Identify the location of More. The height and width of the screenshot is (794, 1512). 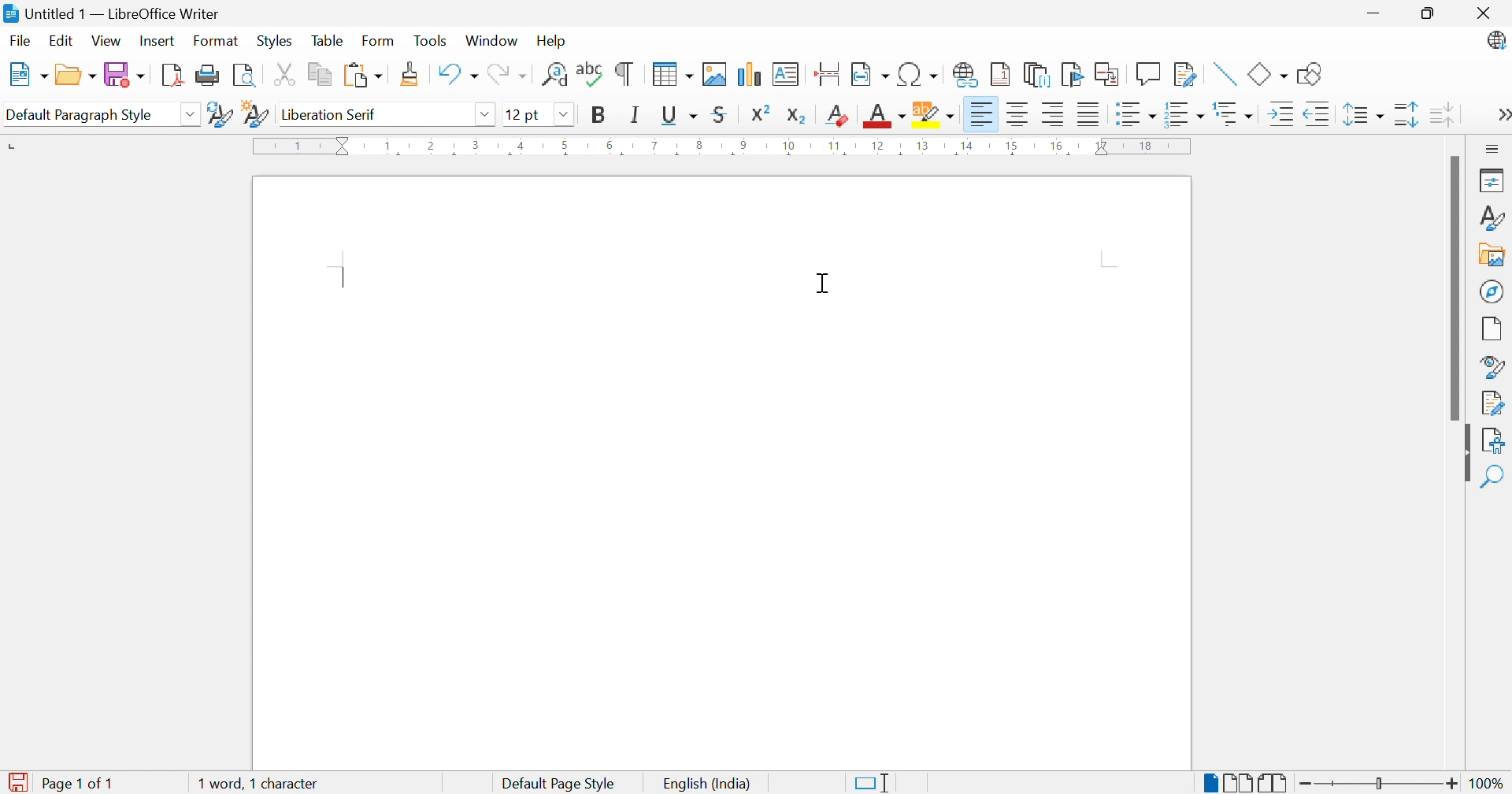
(1501, 114).